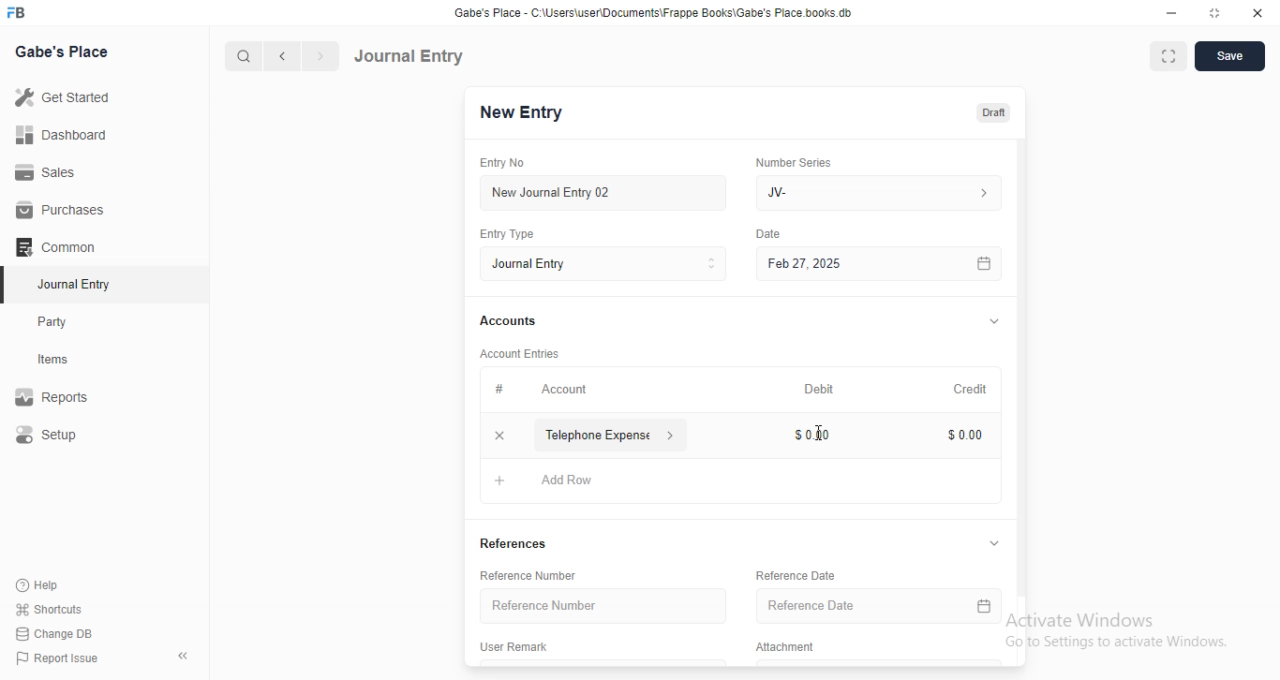  Describe the element at coordinates (492, 480) in the screenshot. I see `Add` at that location.